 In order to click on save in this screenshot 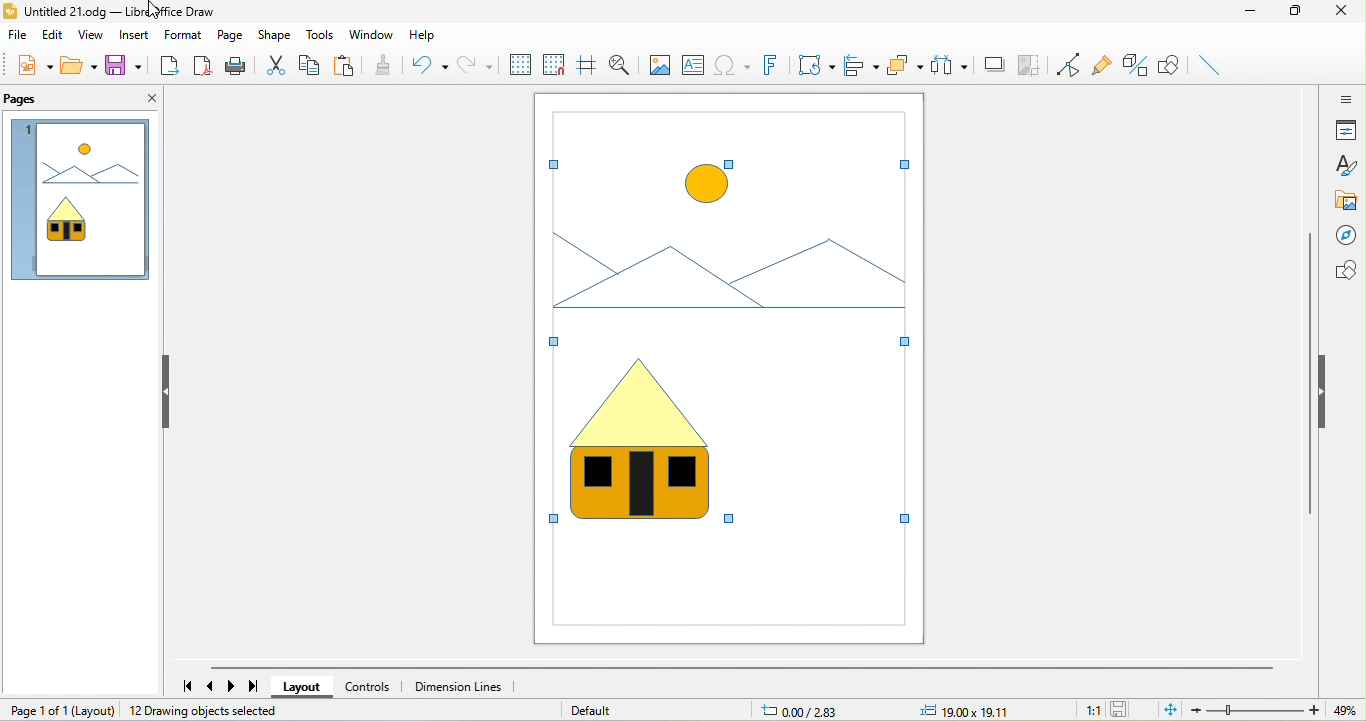, I will do `click(1123, 710)`.